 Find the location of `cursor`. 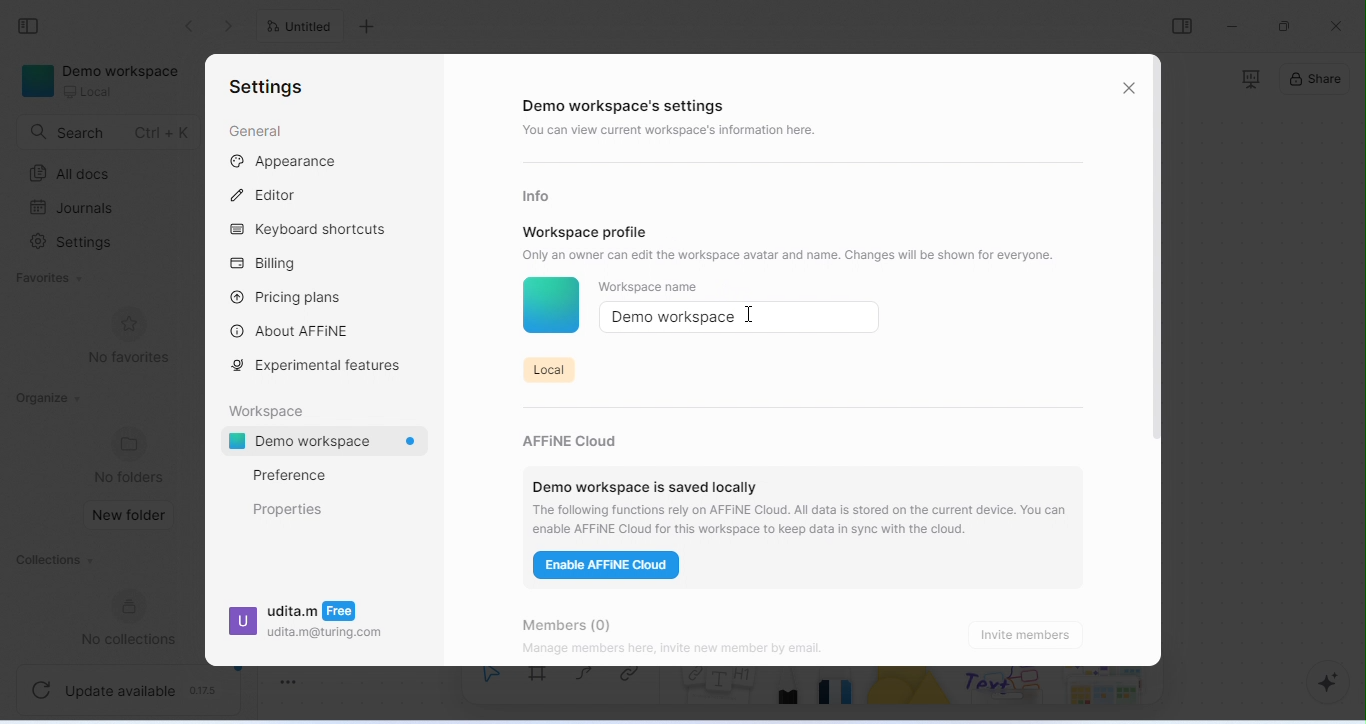

cursor is located at coordinates (751, 314).